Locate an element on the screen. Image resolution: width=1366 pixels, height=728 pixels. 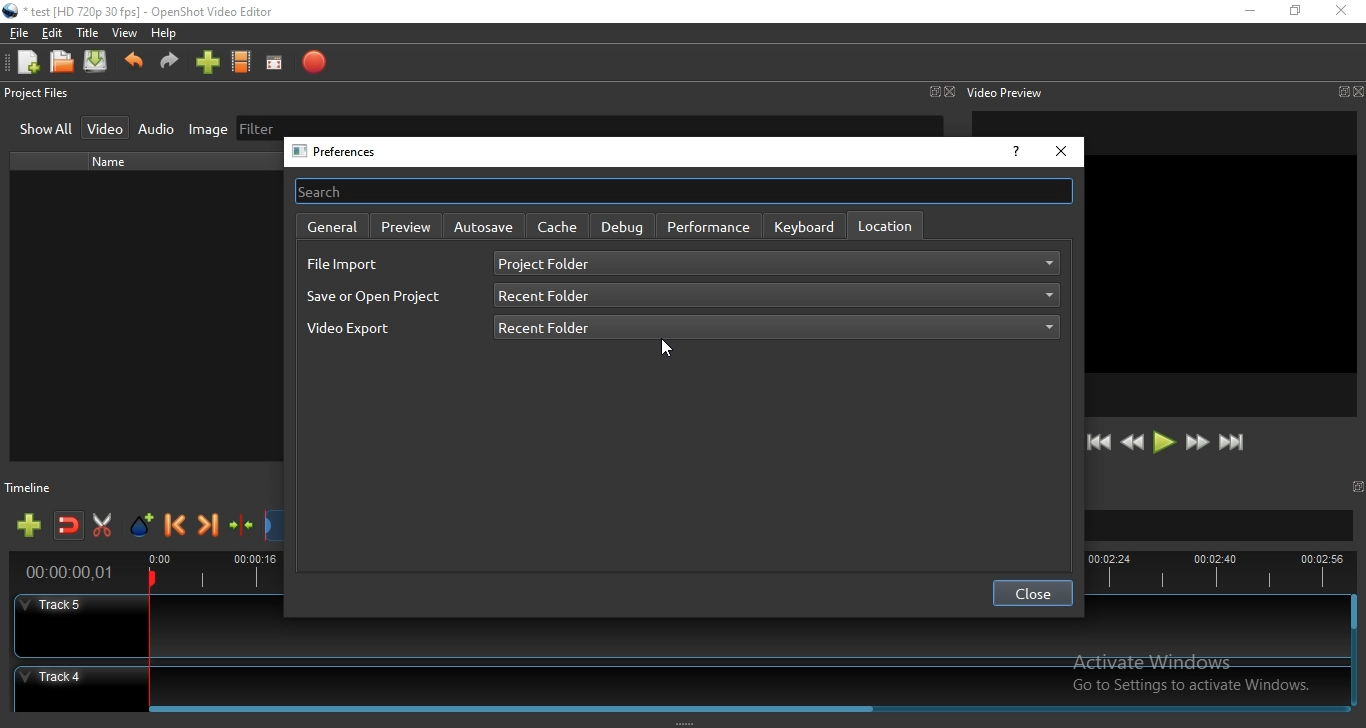
close is located at coordinates (1032, 594).